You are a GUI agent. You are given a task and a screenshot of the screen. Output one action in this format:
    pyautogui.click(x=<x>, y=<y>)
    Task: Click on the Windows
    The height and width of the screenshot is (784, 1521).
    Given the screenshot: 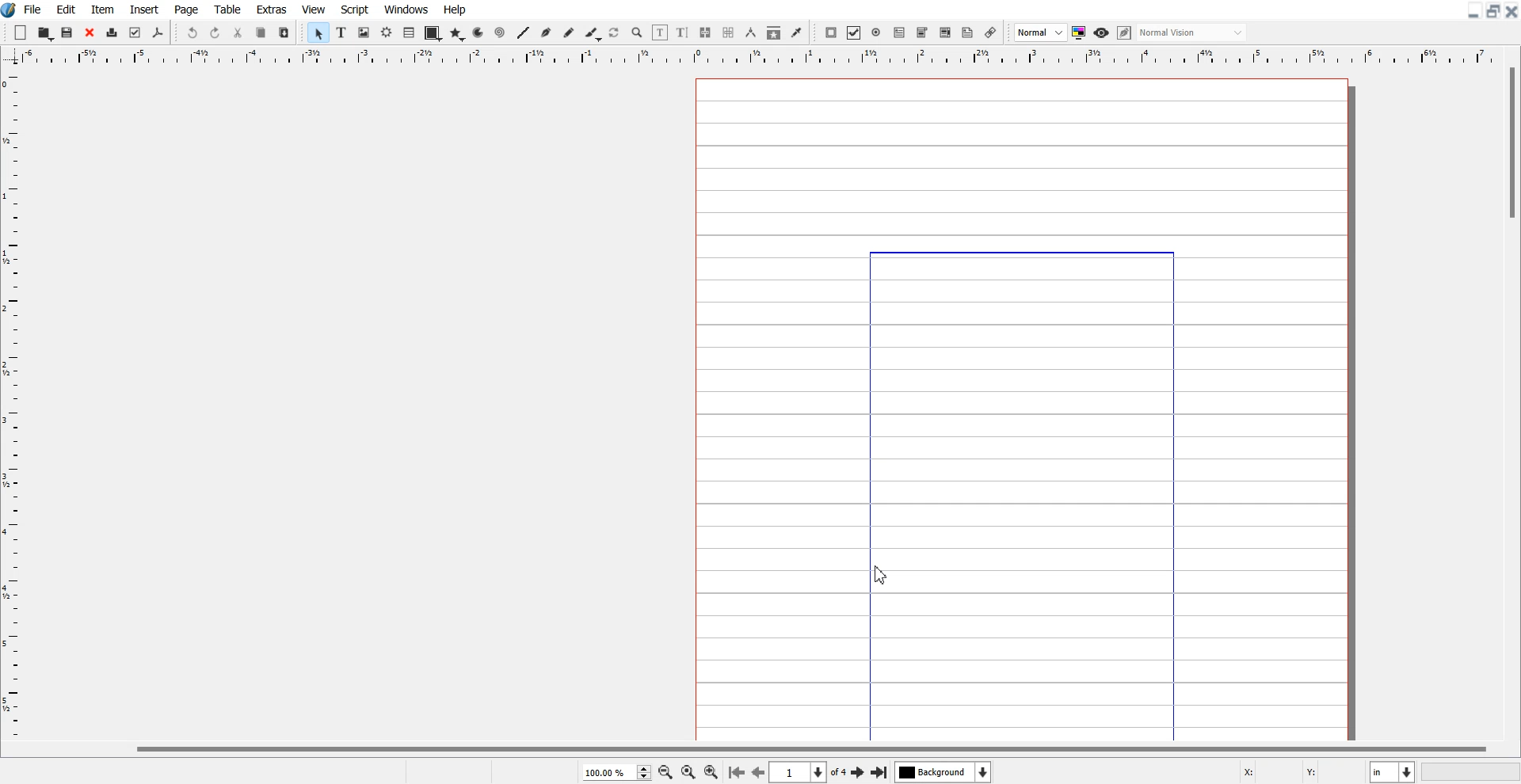 What is the action you would take?
    pyautogui.click(x=406, y=10)
    